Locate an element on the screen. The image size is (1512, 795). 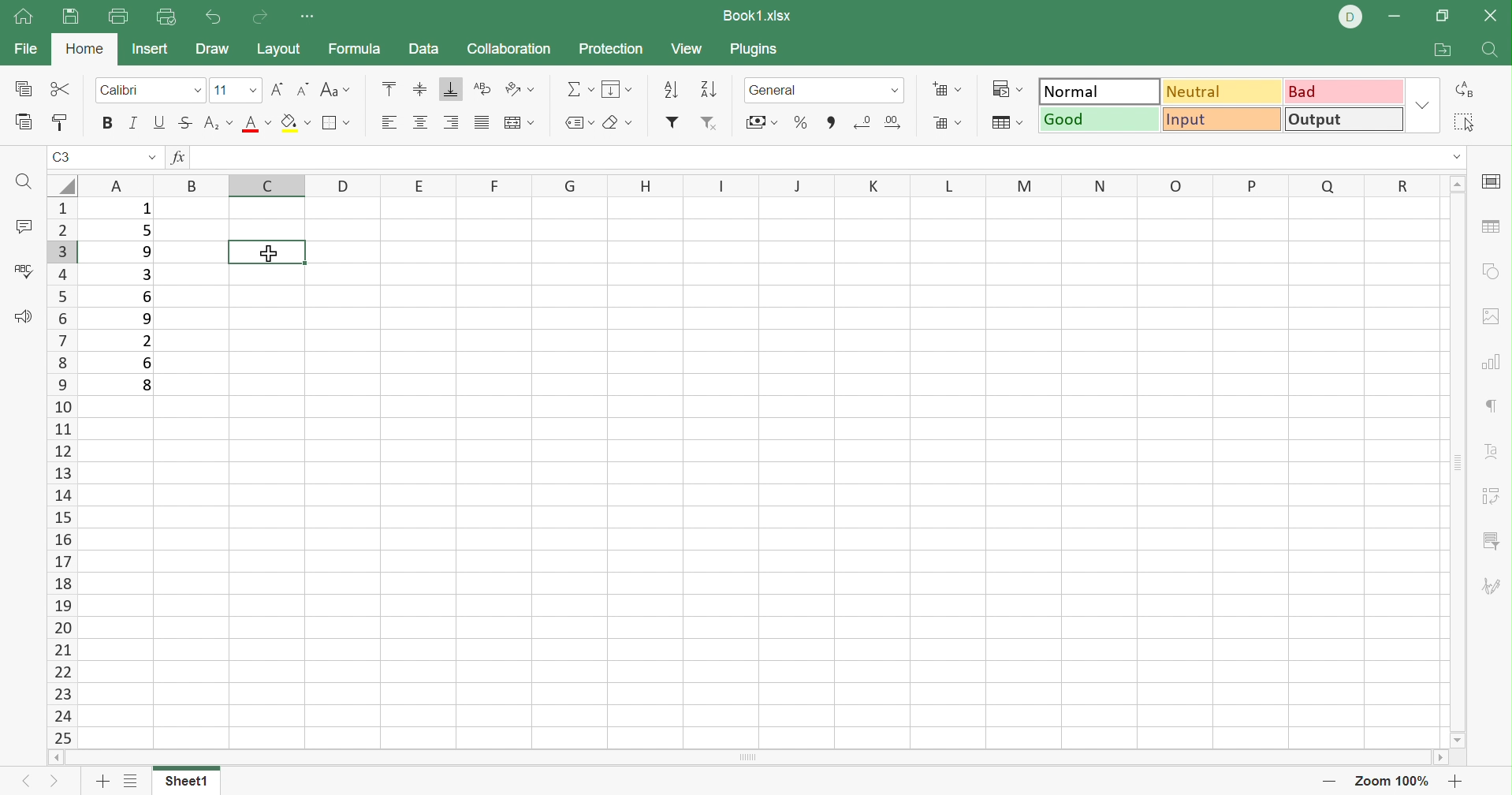
ollaboration is located at coordinates (511, 50).